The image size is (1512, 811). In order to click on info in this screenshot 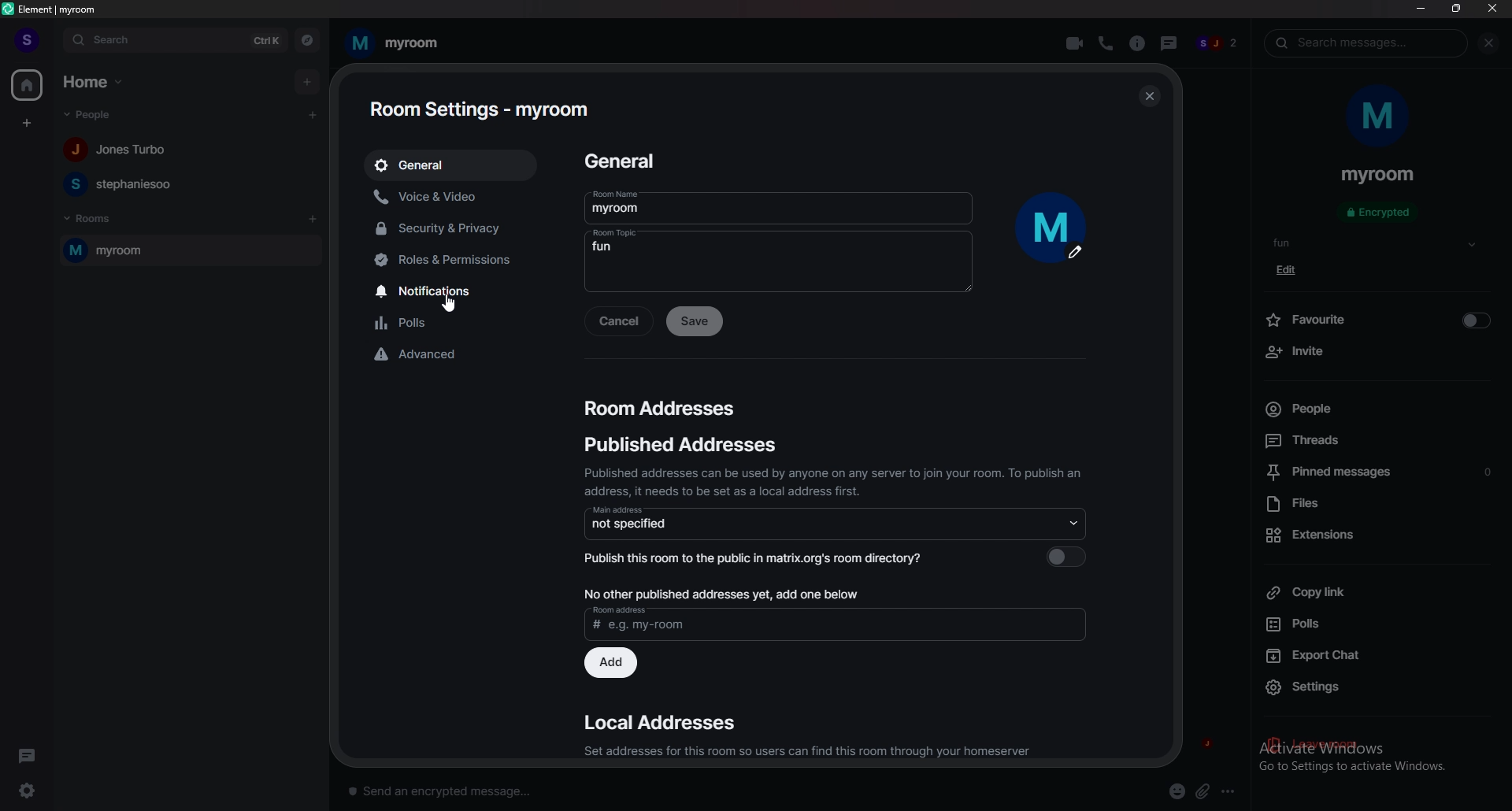, I will do `click(1136, 43)`.